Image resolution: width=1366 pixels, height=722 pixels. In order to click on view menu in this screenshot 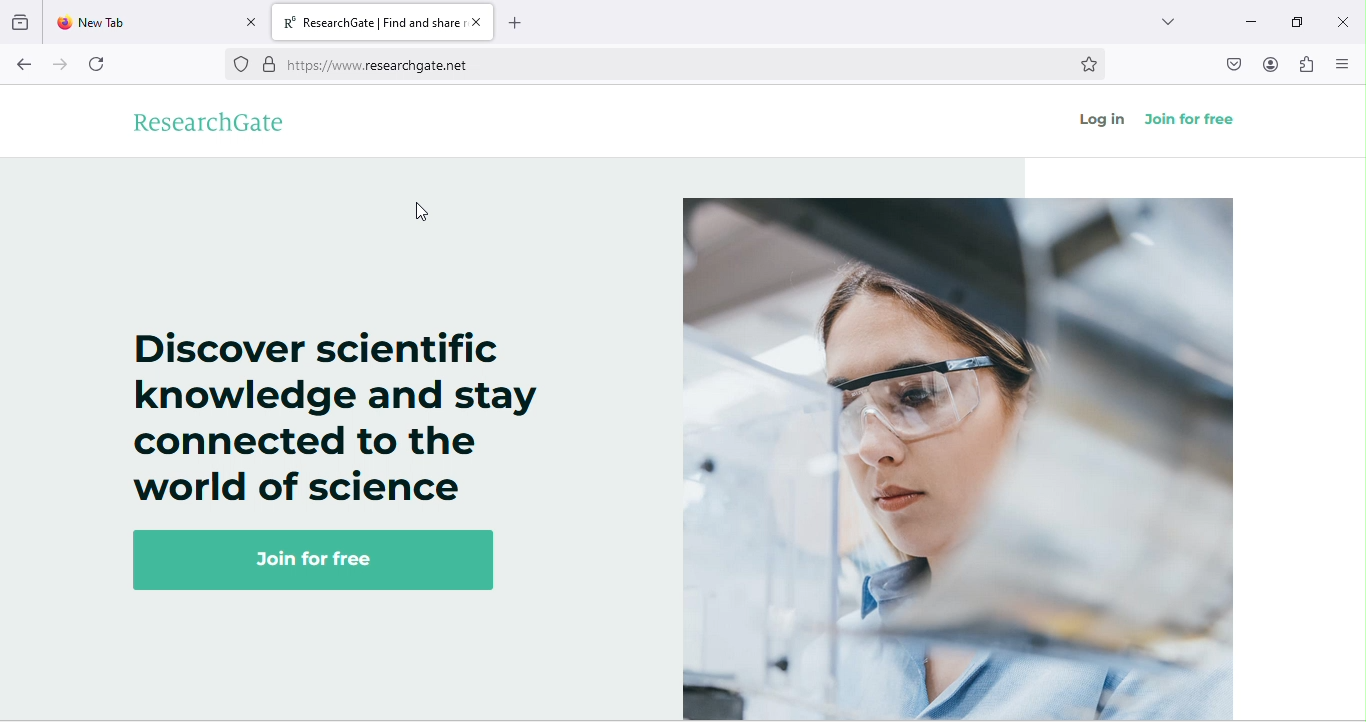, I will do `click(1342, 62)`.